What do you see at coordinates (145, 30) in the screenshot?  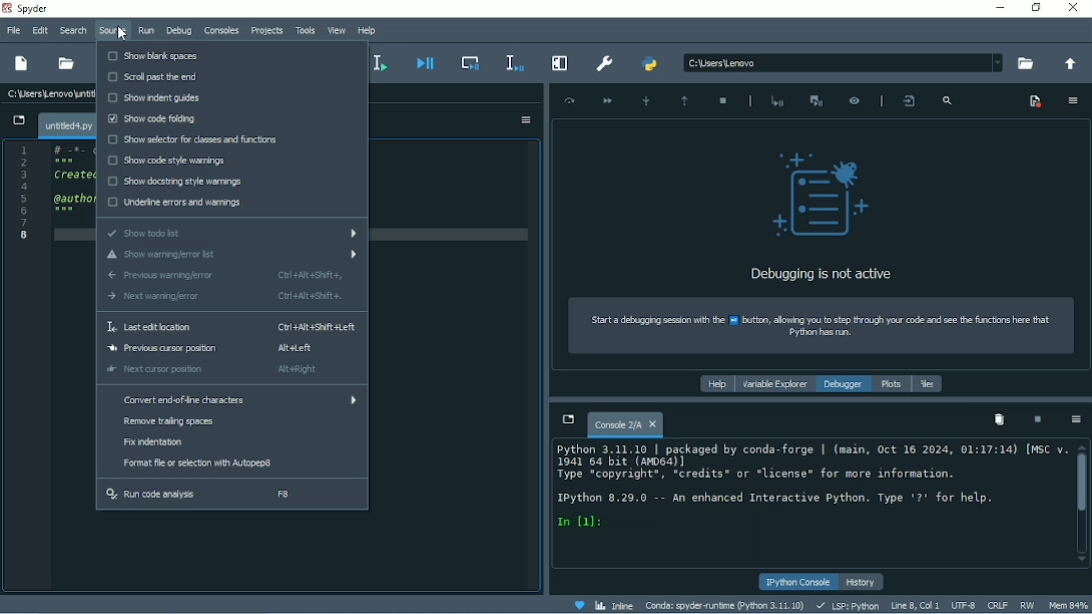 I see `Run` at bounding box center [145, 30].